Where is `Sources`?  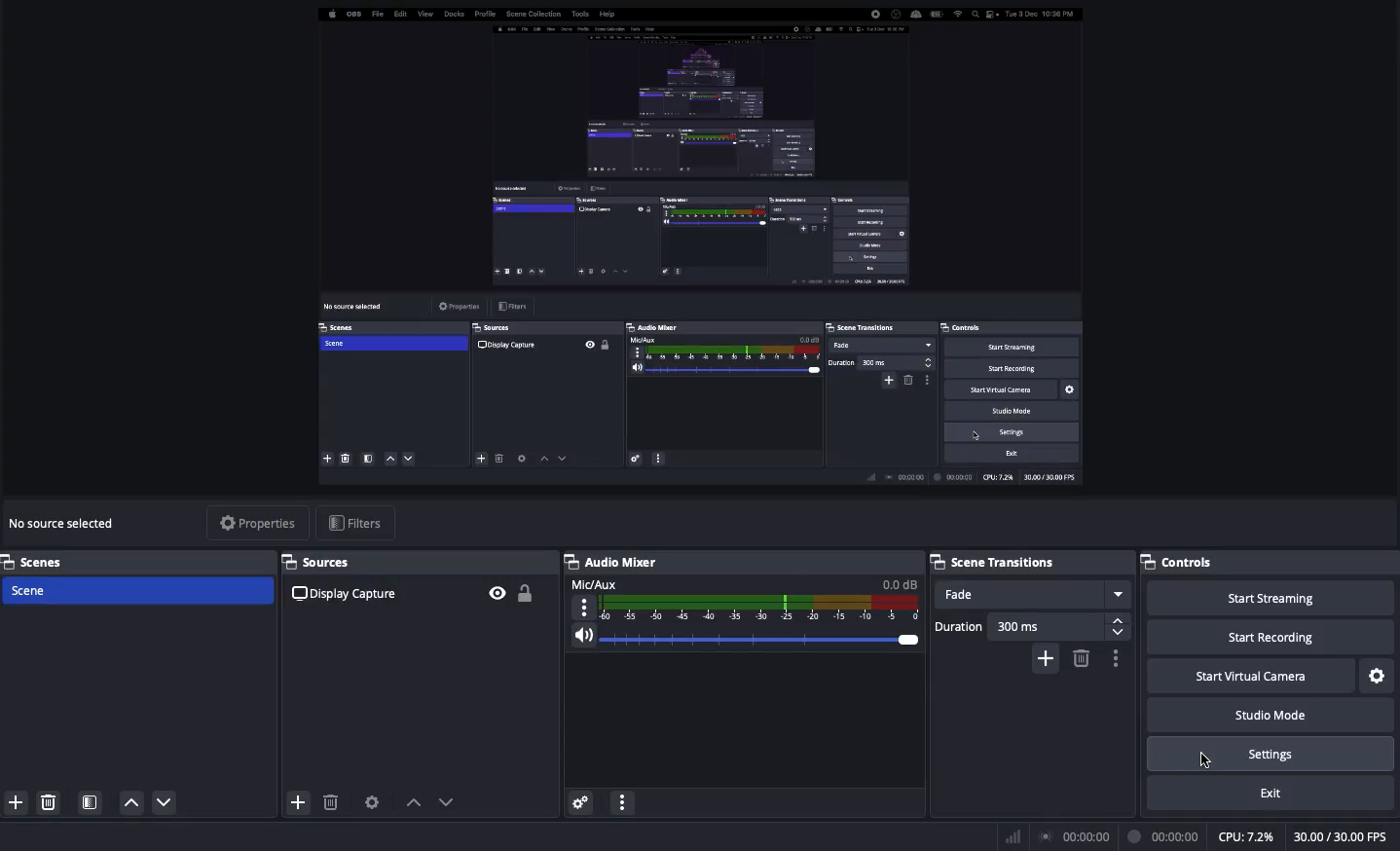 Sources is located at coordinates (322, 563).